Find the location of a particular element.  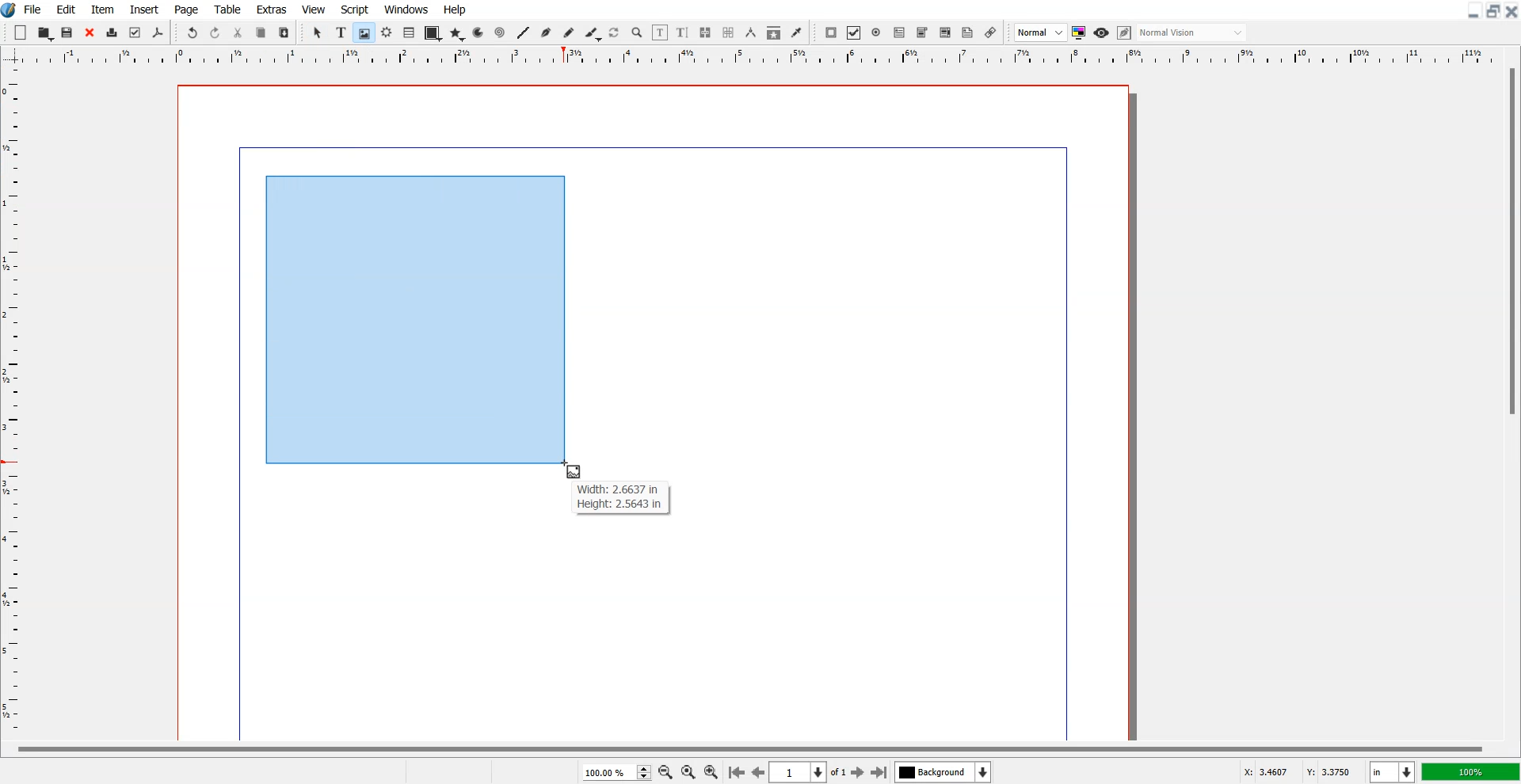

Preview is located at coordinates (1101, 32).